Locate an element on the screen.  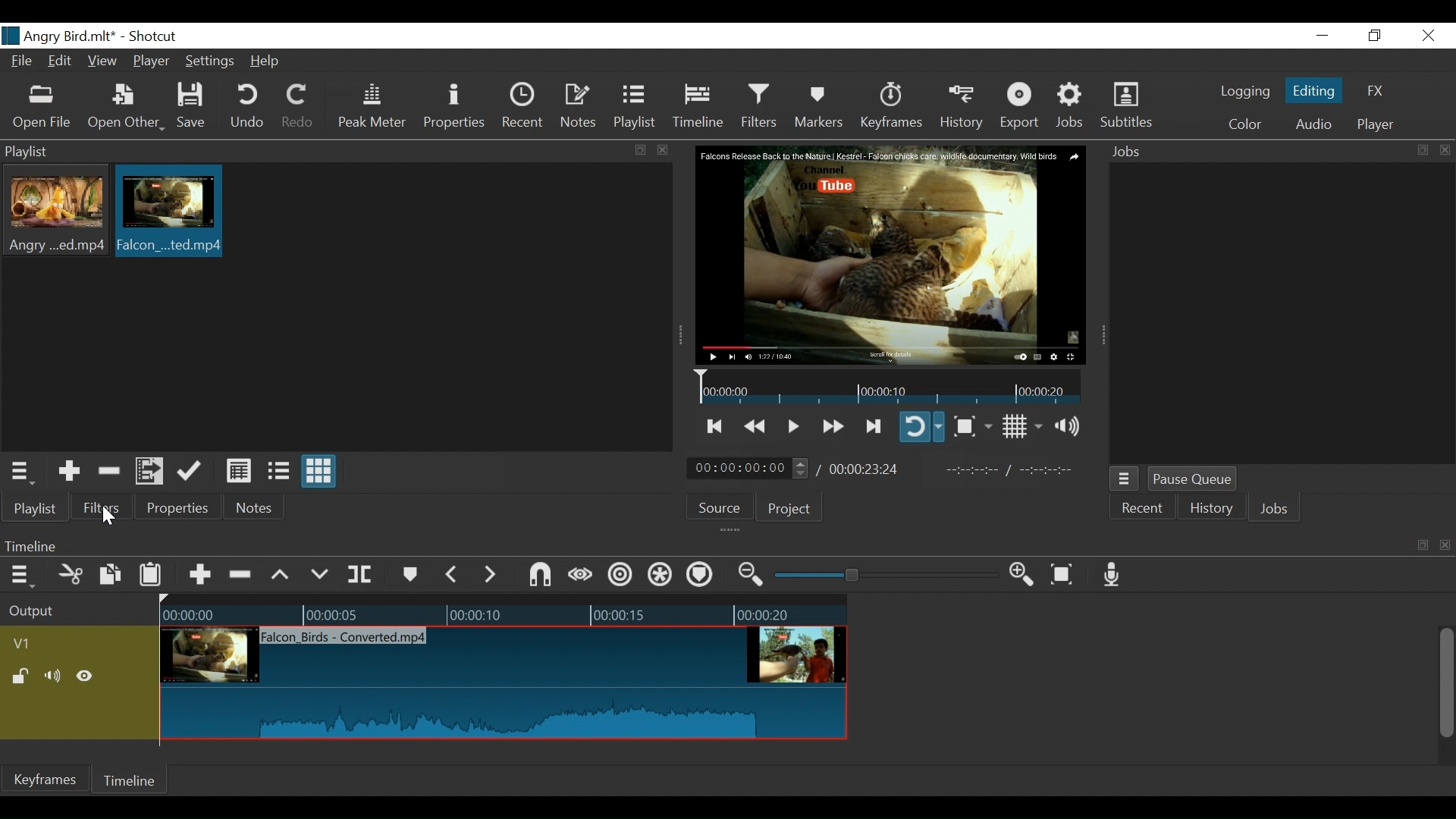
Video Track Name is located at coordinates (66, 645).